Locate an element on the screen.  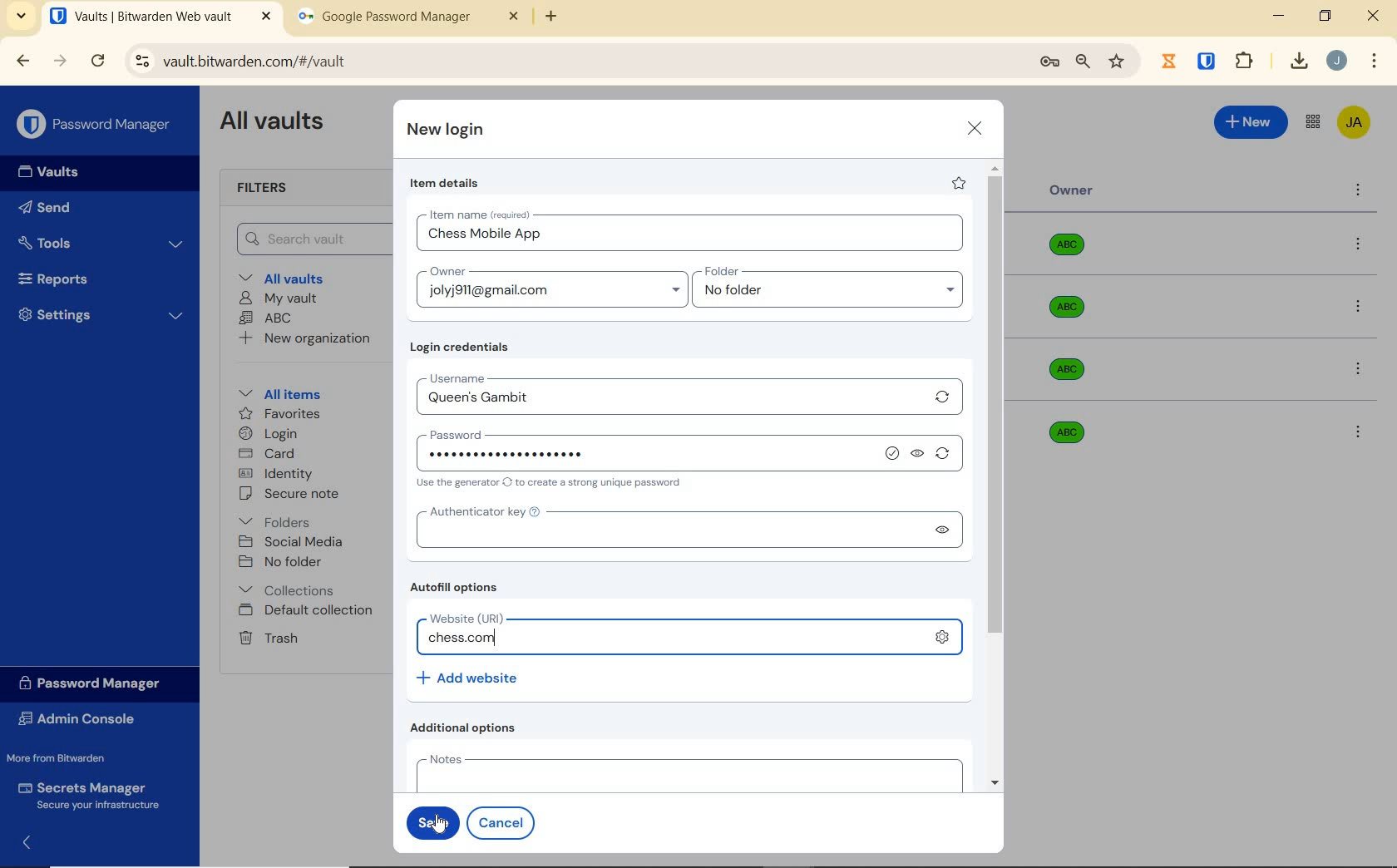
Login credentials is located at coordinates (463, 348).